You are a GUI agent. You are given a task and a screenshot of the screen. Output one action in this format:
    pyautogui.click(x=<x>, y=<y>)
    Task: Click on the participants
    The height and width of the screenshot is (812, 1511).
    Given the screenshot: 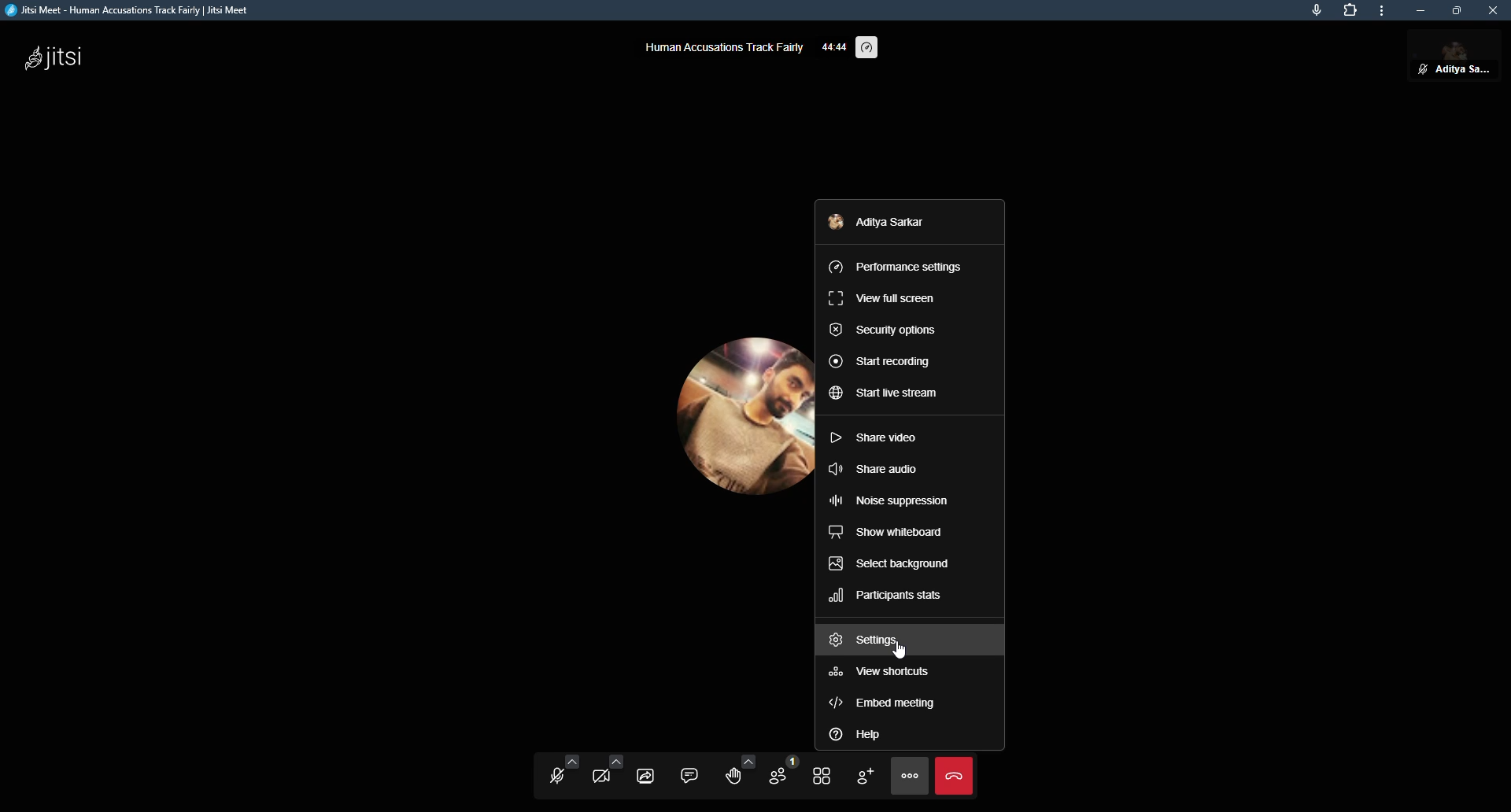 What is the action you would take?
    pyautogui.click(x=775, y=773)
    